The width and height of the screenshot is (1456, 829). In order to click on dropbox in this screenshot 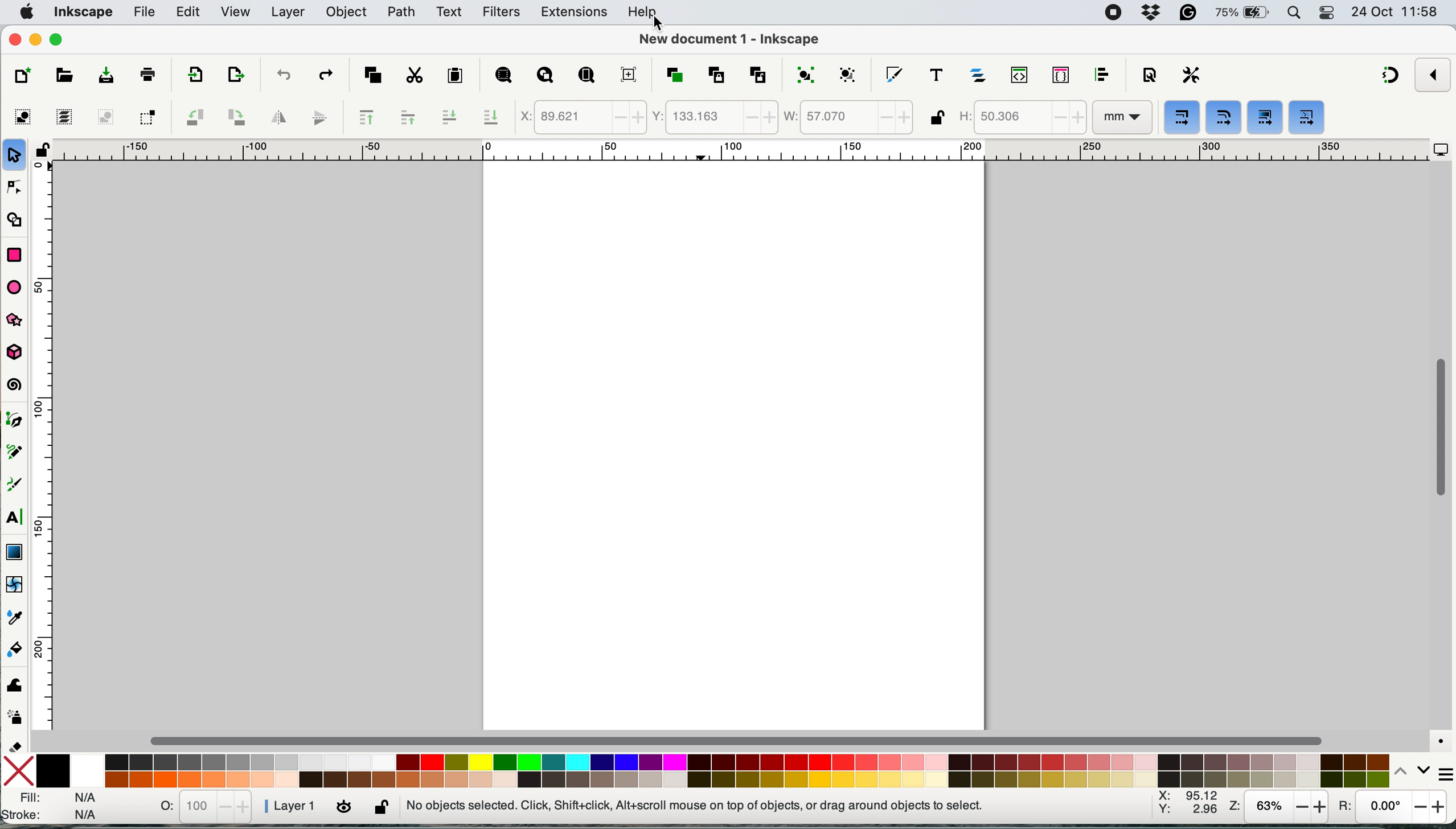, I will do `click(1149, 15)`.